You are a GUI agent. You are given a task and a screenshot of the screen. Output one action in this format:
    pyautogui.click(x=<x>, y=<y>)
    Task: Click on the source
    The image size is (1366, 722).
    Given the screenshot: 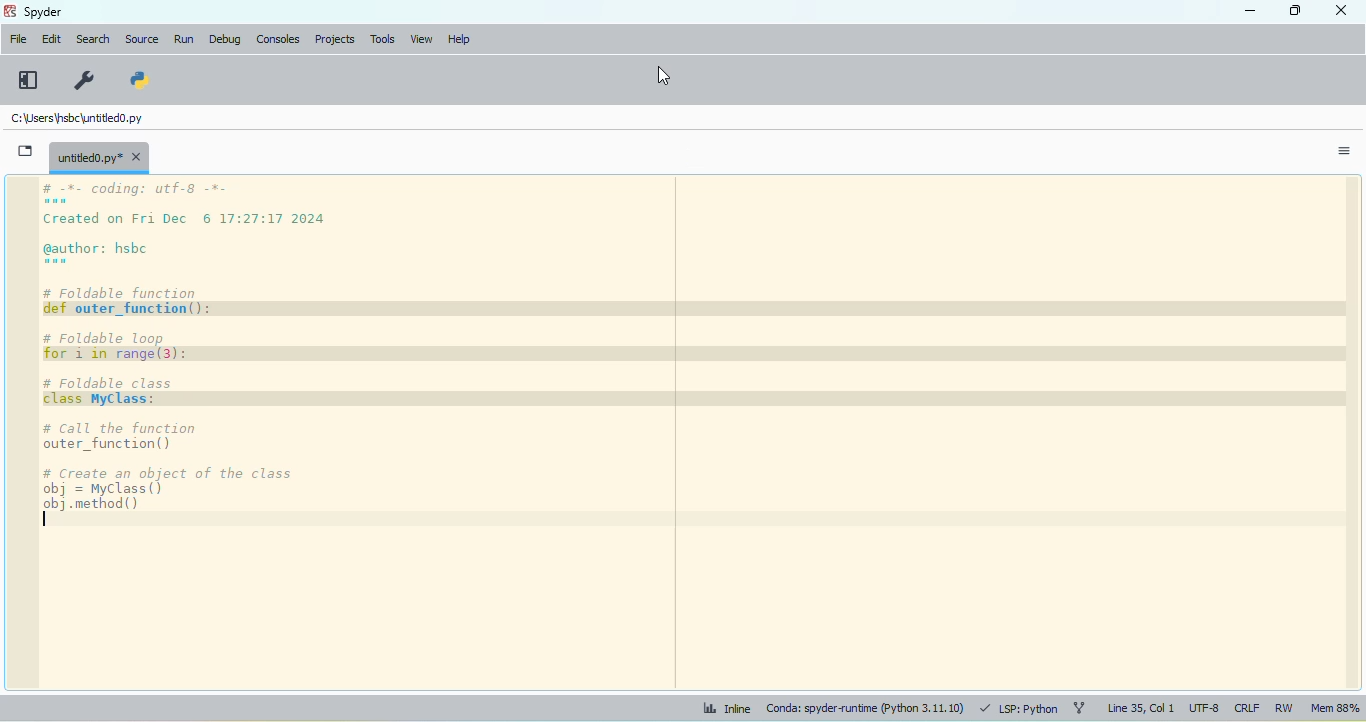 What is the action you would take?
    pyautogui.click(x=141, y=39)
    